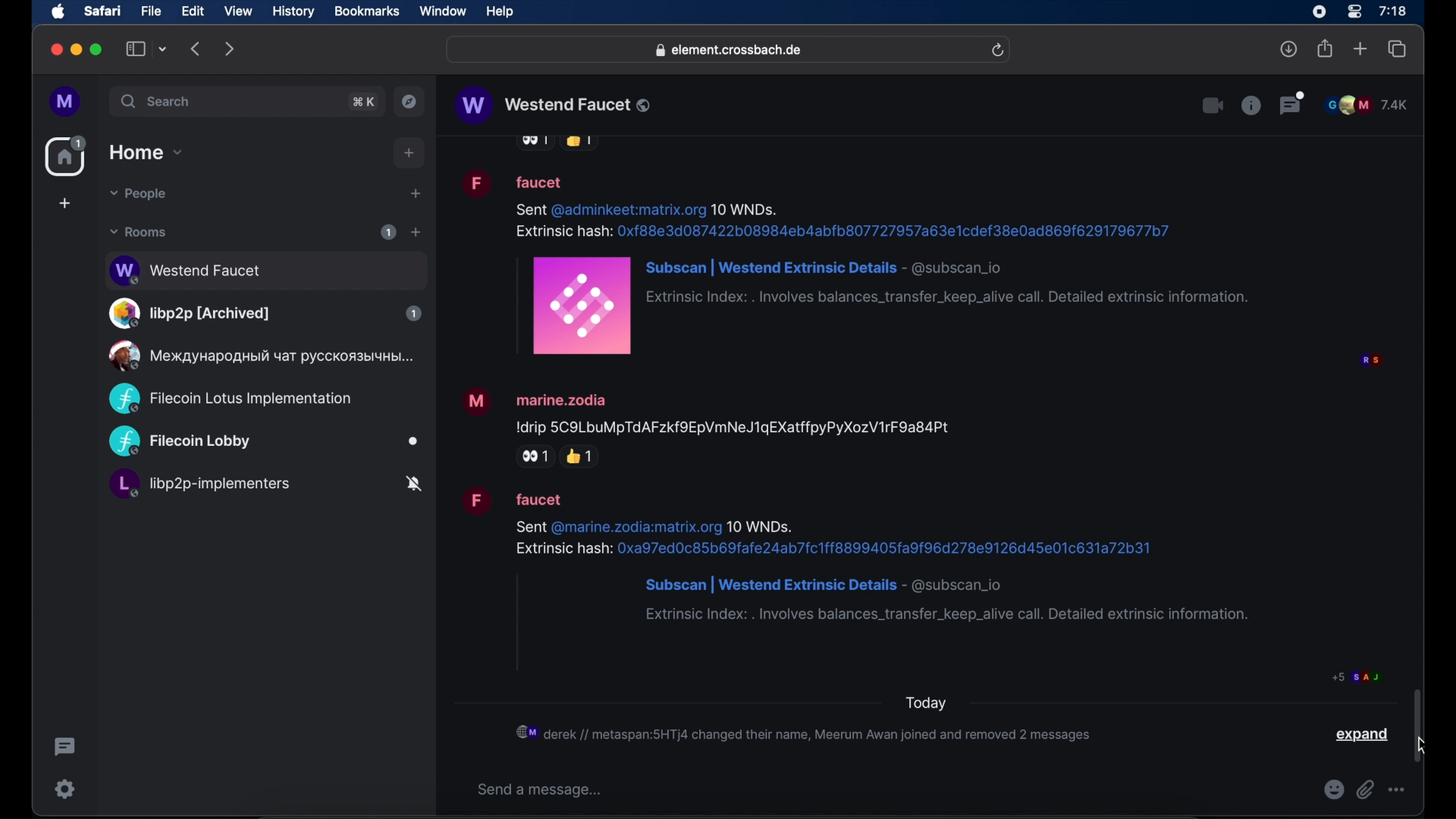  Describe the element at coordinates (500, 12) in the screenshot. I see `help` at that location.